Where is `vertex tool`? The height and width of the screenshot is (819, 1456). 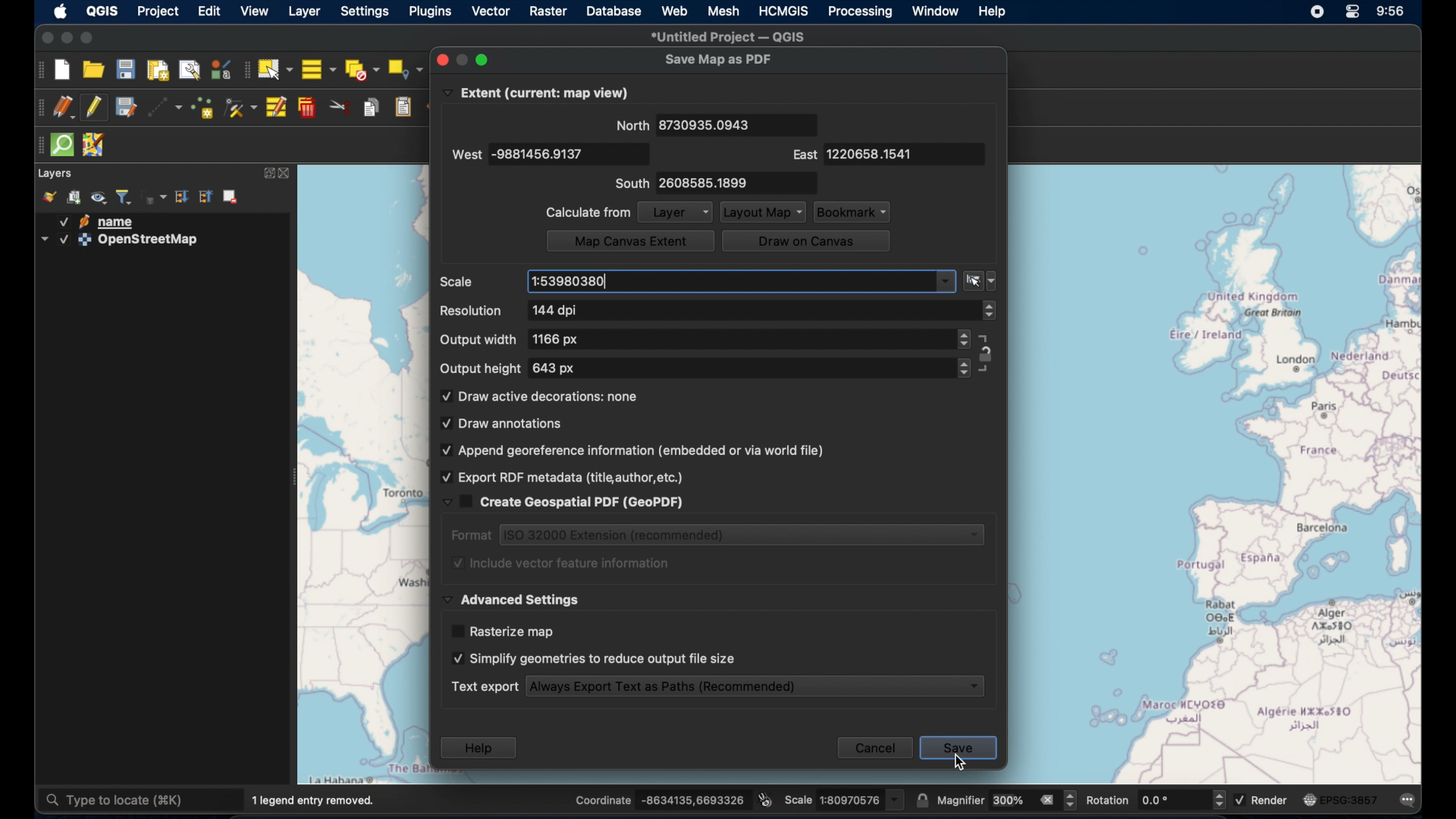 vertex tool is located at coordinates (241, 109).